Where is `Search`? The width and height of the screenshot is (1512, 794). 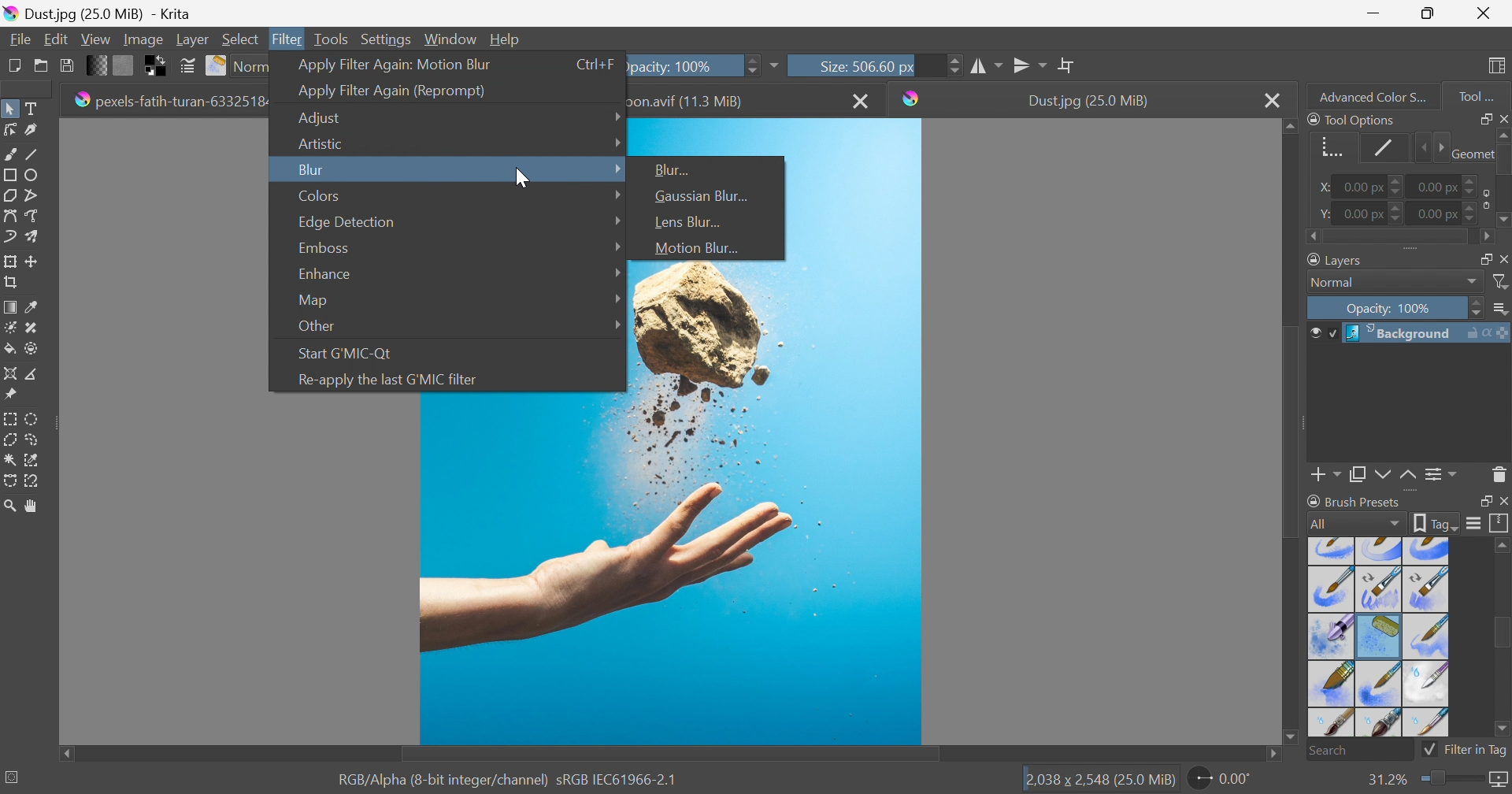
Search is located at coordinates (1360, 751).